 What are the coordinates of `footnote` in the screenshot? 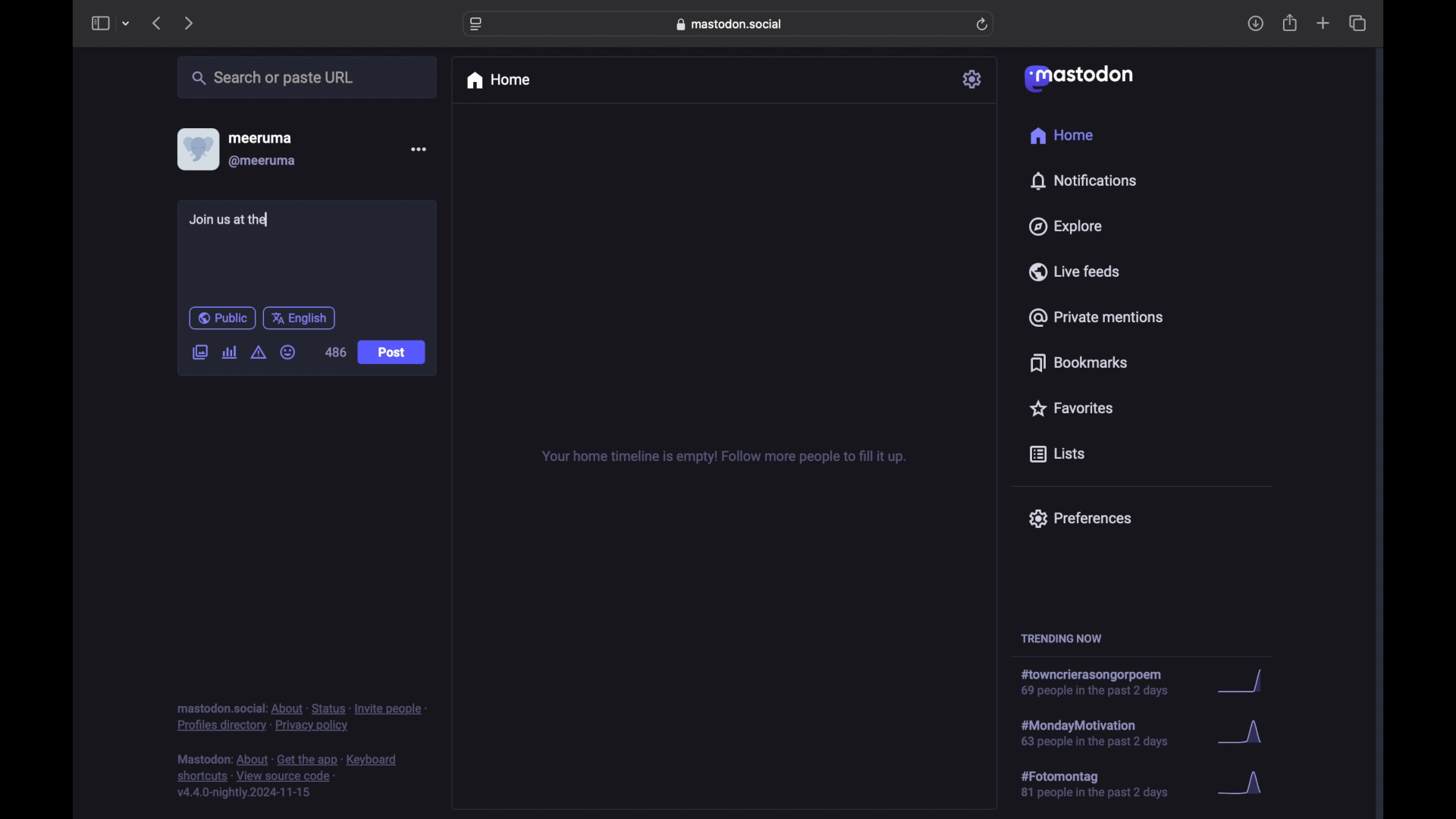 It's located at (302, 717).